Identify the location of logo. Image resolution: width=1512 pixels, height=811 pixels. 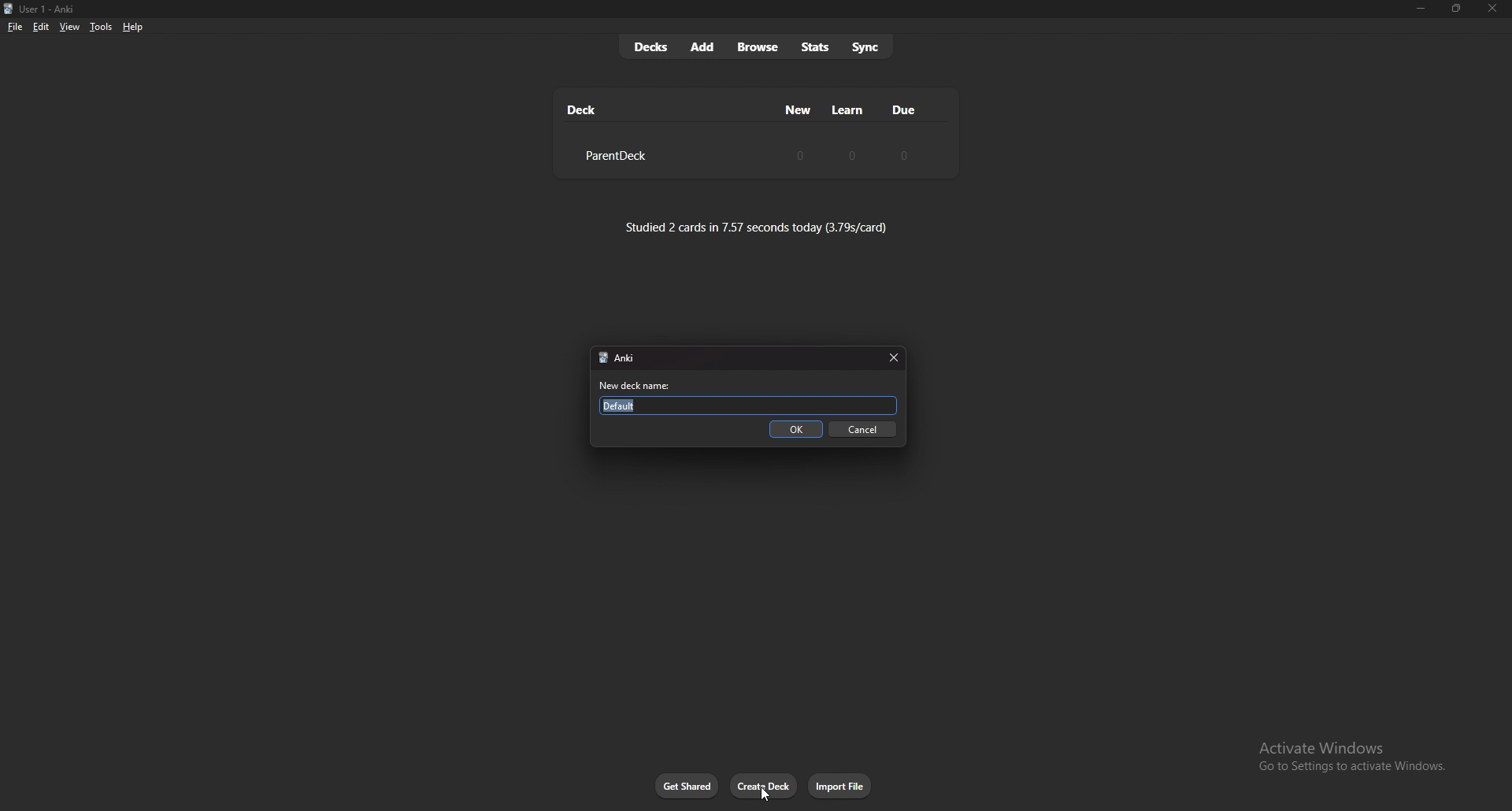
(9, 9).